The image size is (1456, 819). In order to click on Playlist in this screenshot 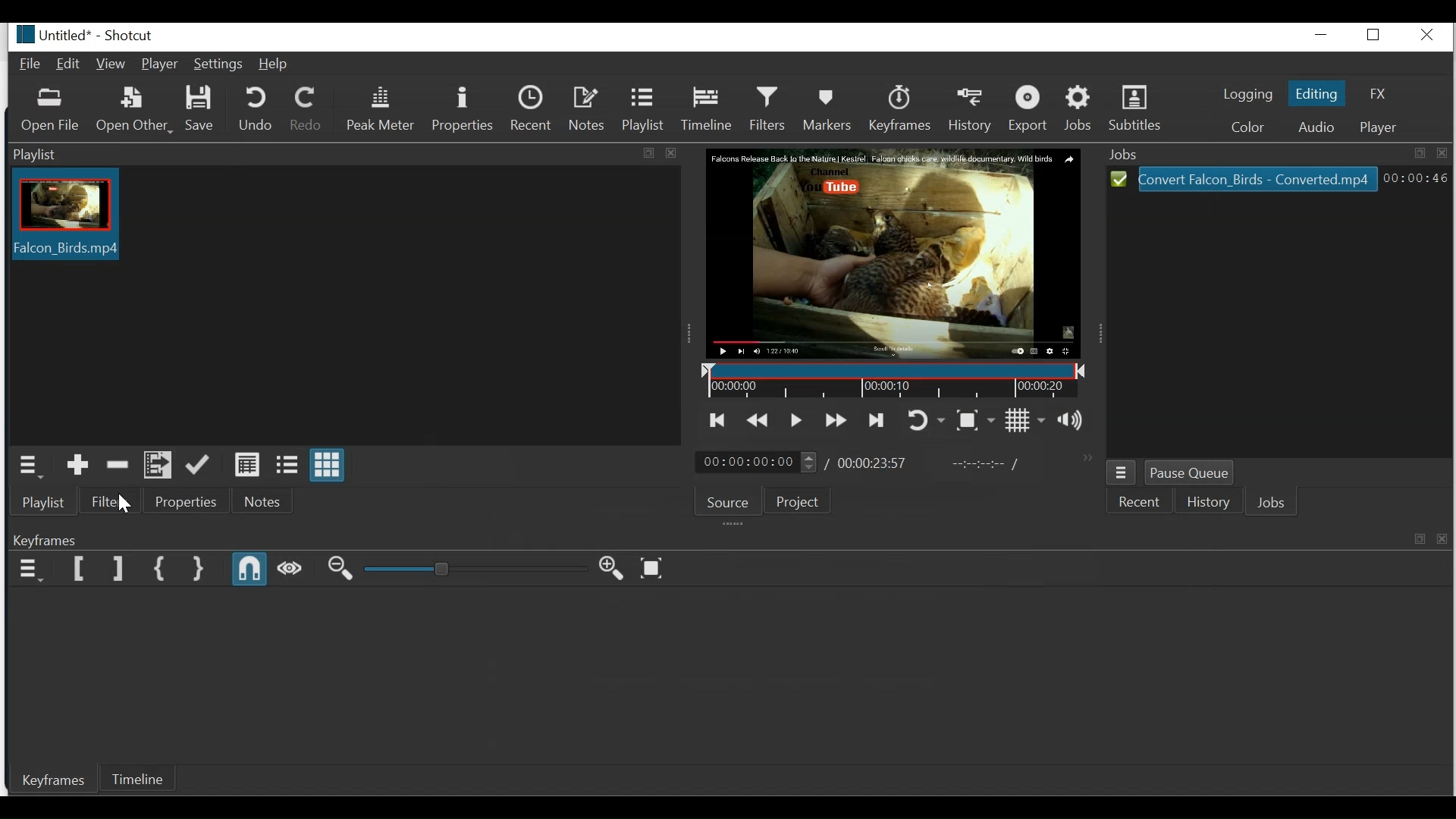, I will do `click(347, 155)`.